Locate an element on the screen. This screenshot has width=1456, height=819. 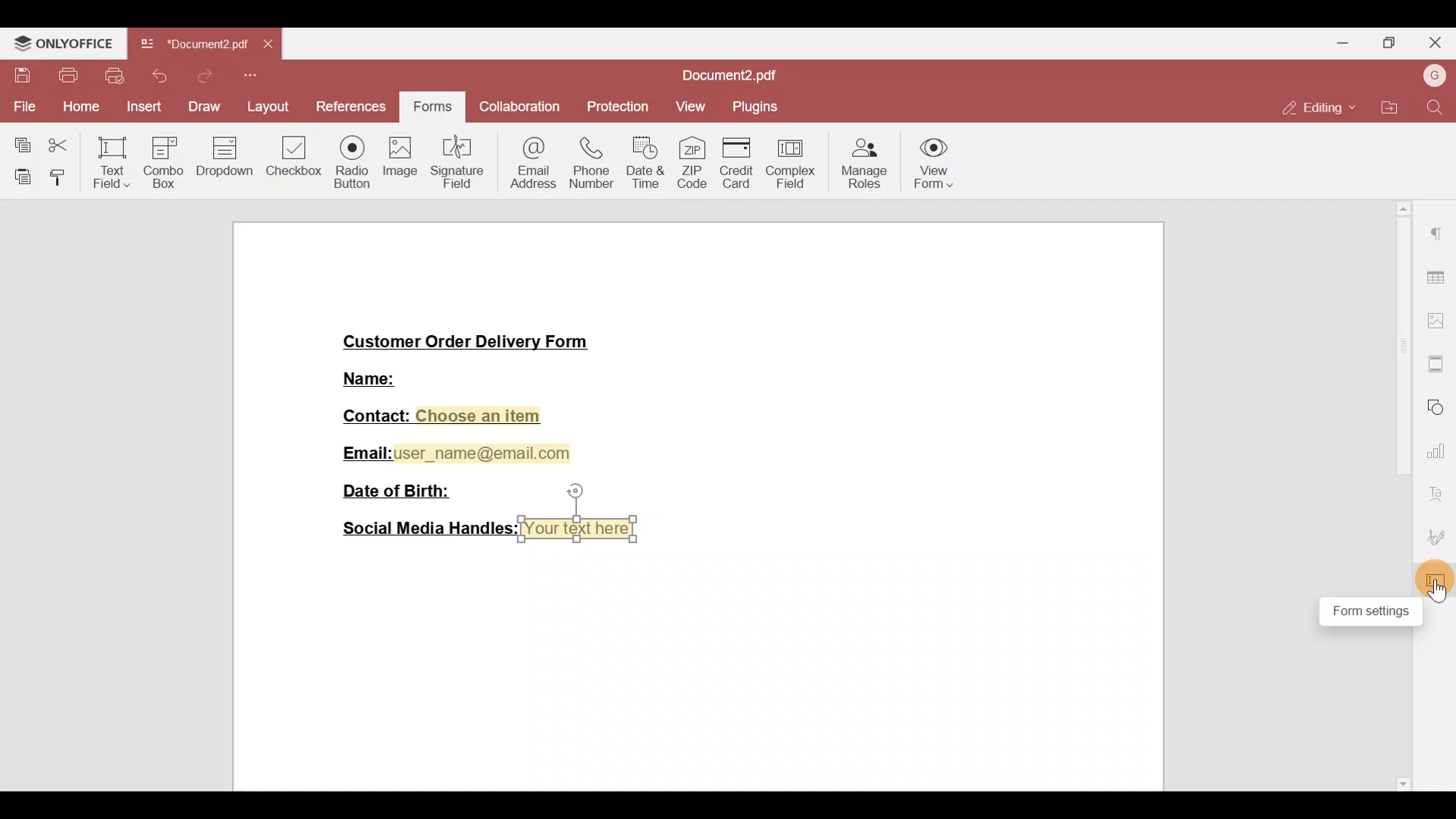
Text field is located at coordinates (107, 164).